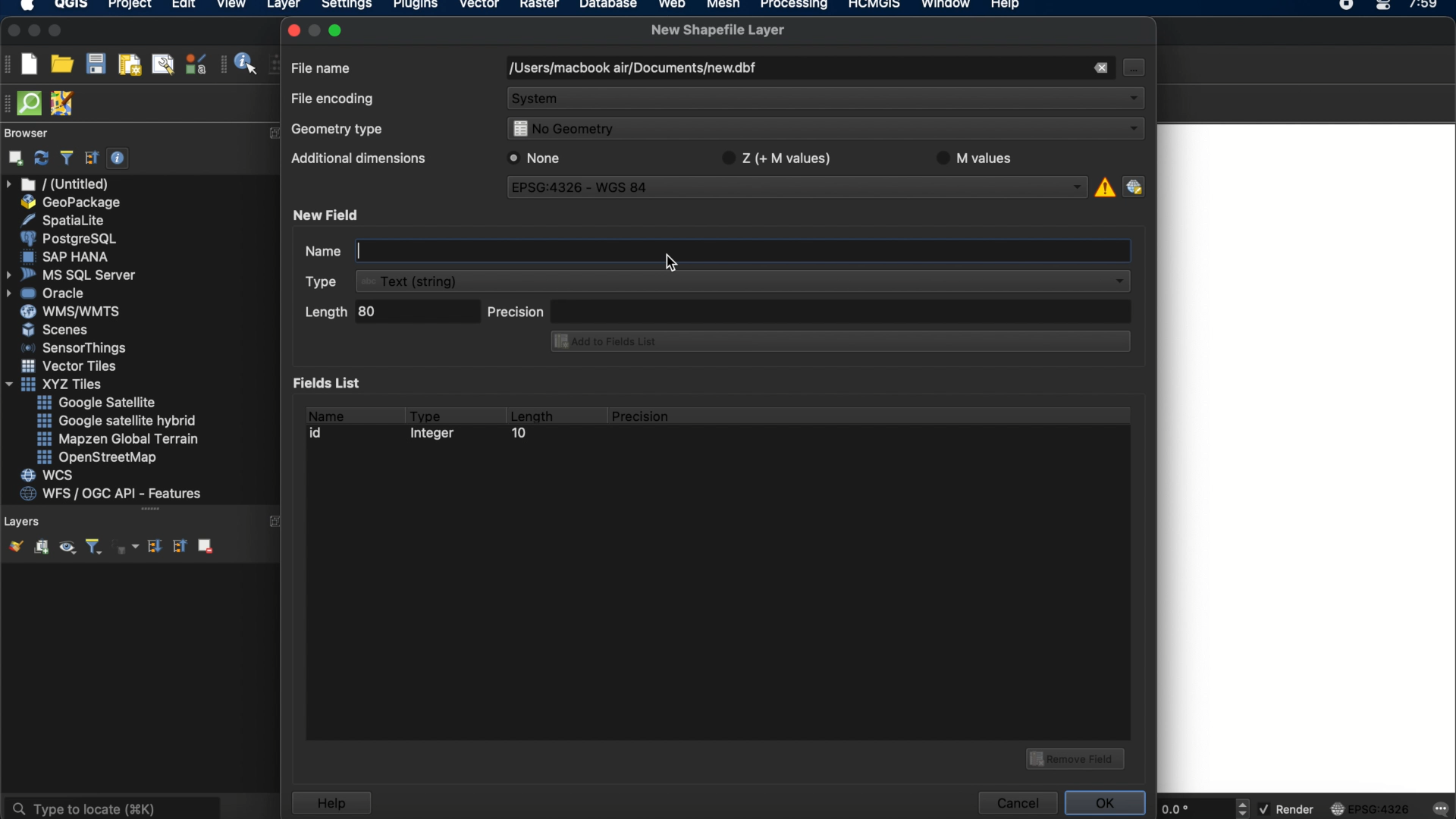 Image resolution: width=1456 pixels, height=819 pixels. I want to click on database, so click(607, 6).